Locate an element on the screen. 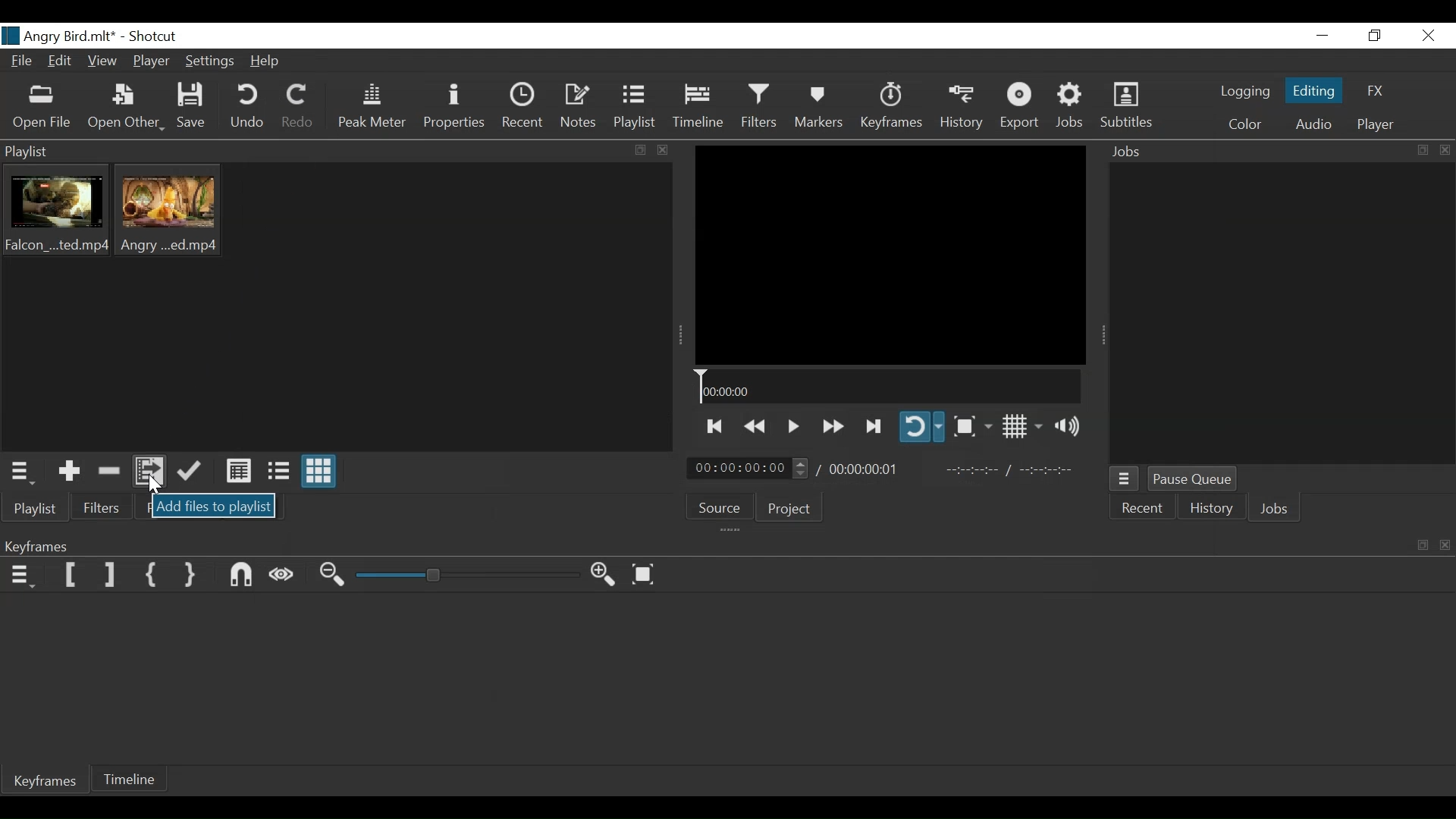  Keyframe menu is located at coordinates (20, 577).